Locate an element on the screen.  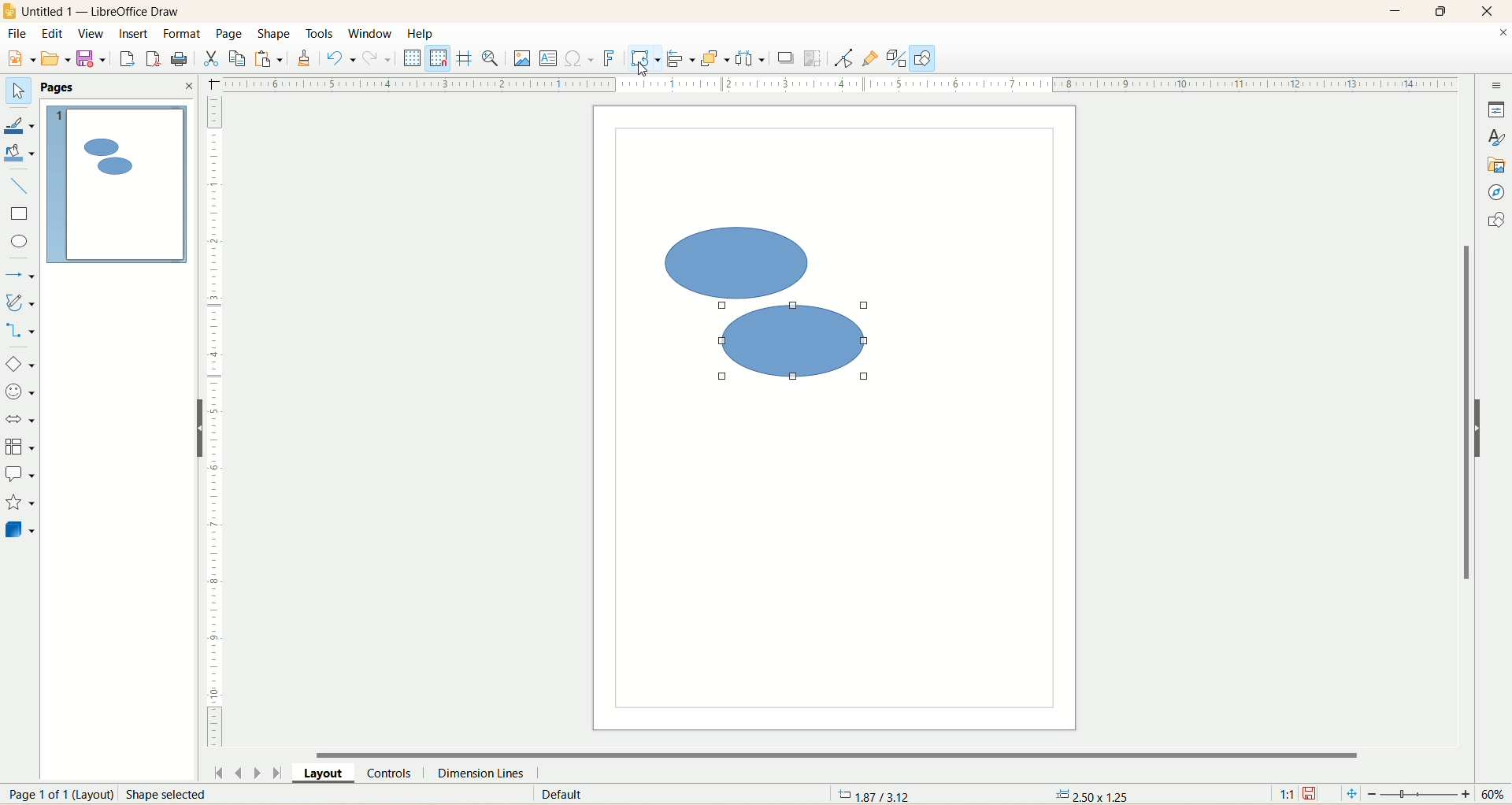
cut is located at coordinates (213, 58).